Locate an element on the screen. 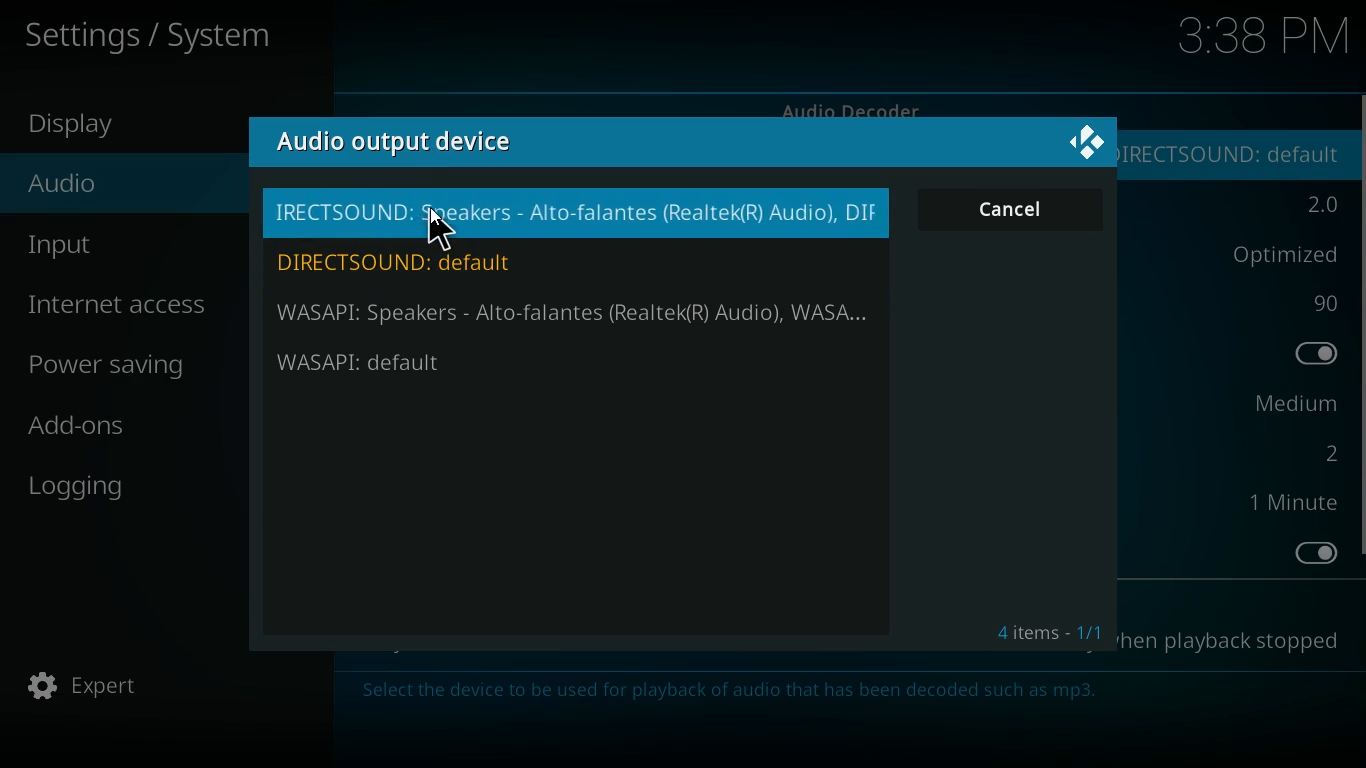 The height and width of the screenshot is (768, 1366). audio output device is located at coordinates (396, 143).